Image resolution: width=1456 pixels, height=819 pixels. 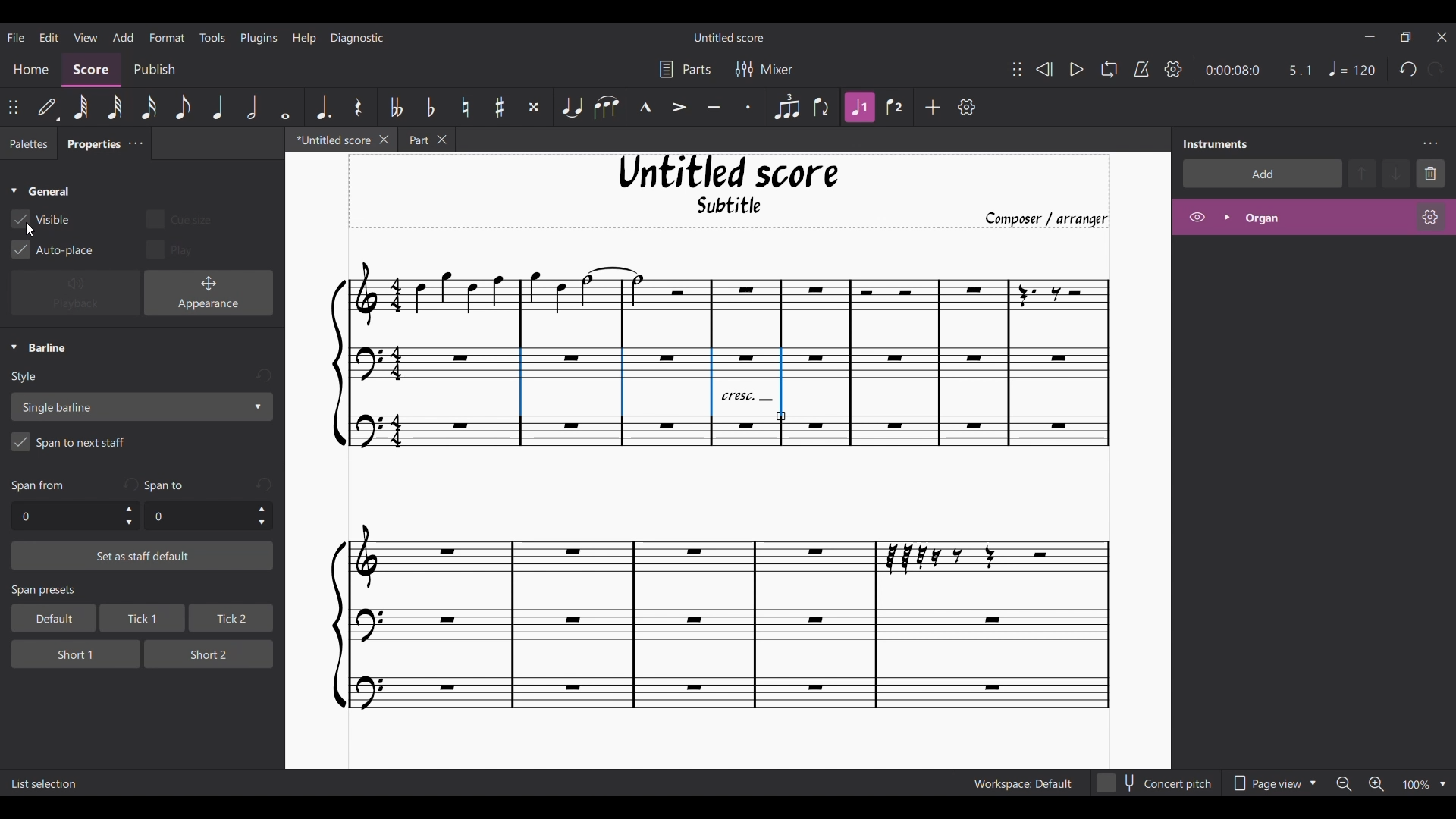 What do you see at coordinates (80, 108) in the screenshot?
I see `64th note` at bounding box center [80, 108].